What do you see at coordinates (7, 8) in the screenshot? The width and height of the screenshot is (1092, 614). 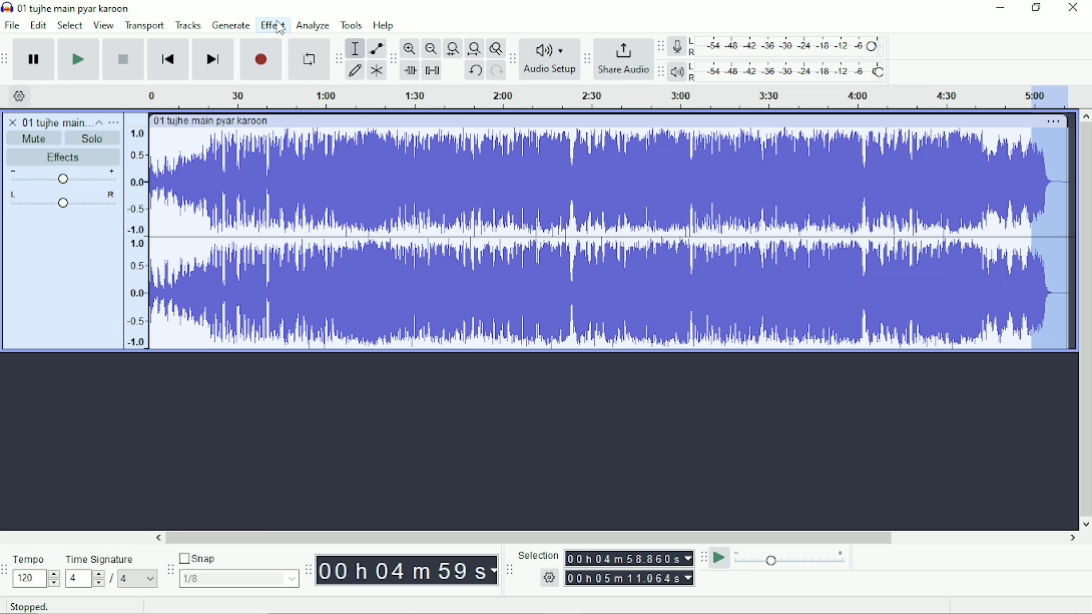 I see `Audacity logo` at bounding box center [7, 8].